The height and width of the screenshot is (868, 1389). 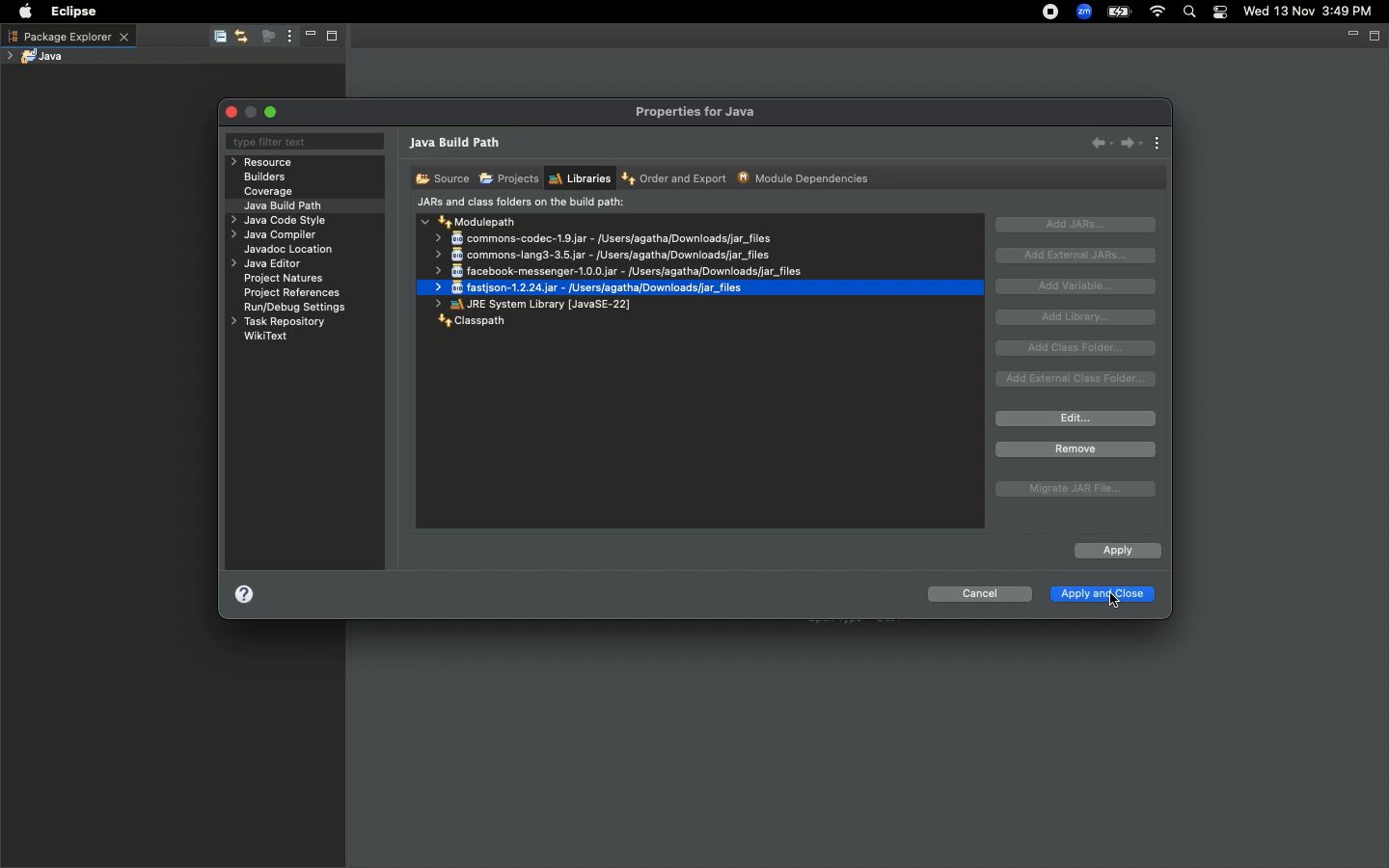 What do you see at coordinates (1080, 286) in the screenshot?
I see `Add variable` at bounding box center [1080, 286].